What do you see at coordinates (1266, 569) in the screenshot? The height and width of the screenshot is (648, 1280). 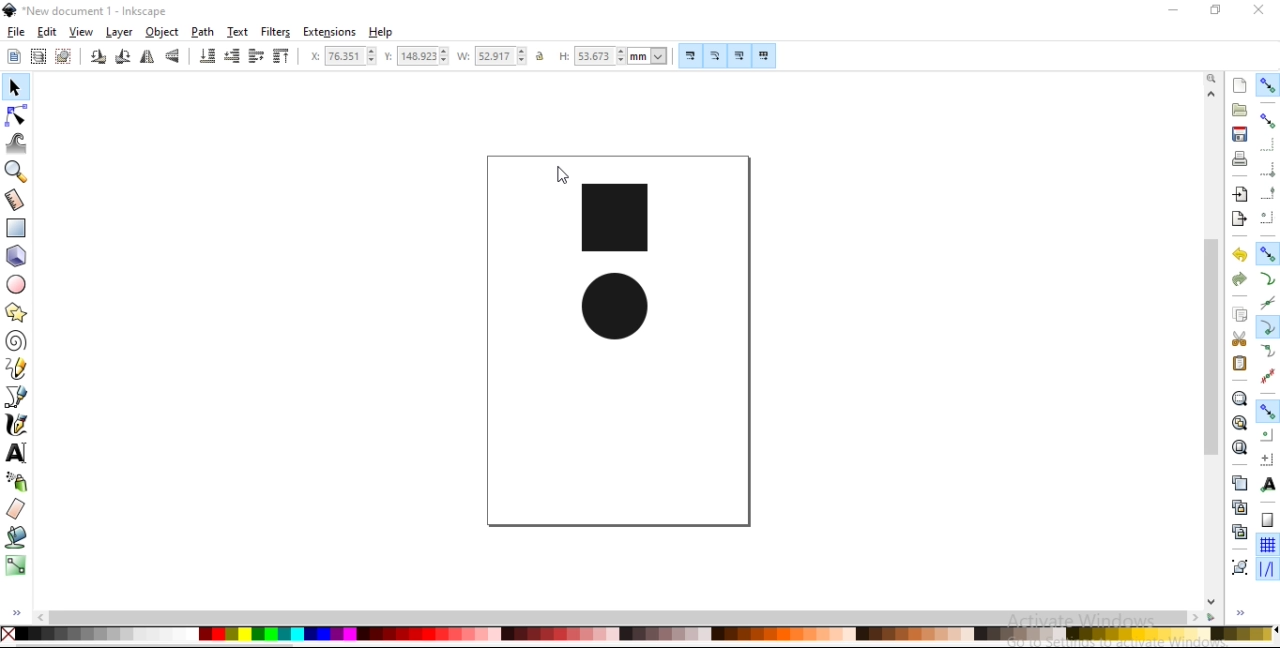 I see `snap guide` at bounding box center [1266, 569].